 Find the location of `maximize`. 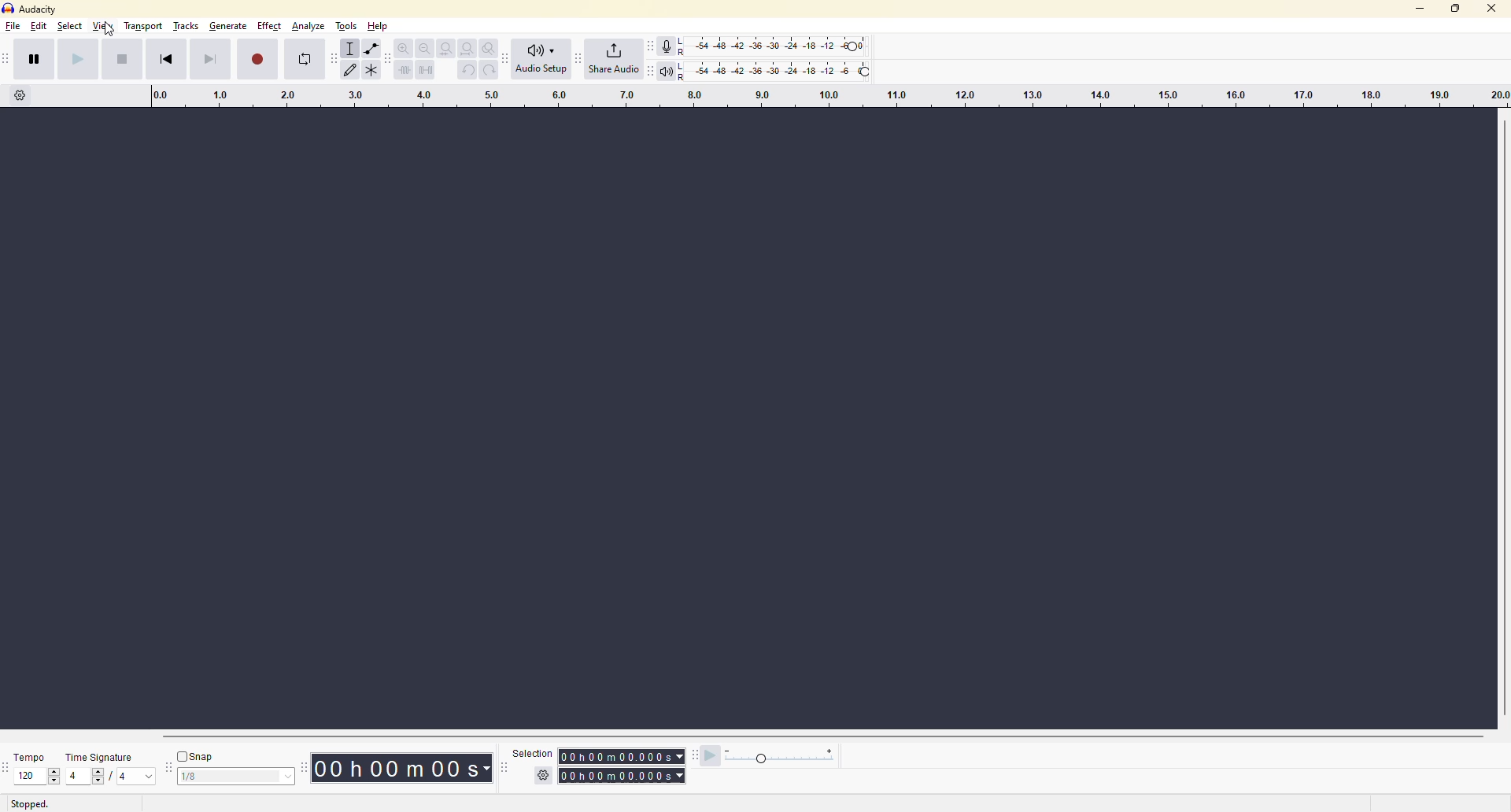

maximize is located at coordinates (1457, 13).